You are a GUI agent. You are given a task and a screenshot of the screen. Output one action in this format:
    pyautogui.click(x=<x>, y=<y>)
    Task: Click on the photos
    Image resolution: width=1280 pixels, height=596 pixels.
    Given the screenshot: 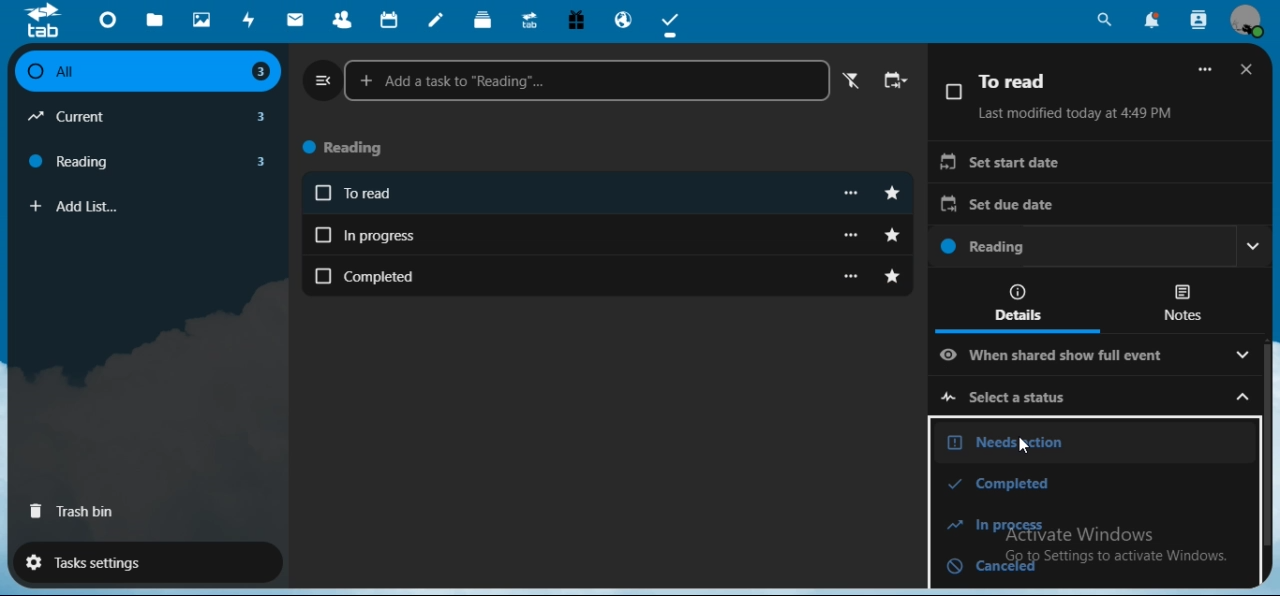 What is the action you would take?
    pyautogui.click(x=202, y=19)
    